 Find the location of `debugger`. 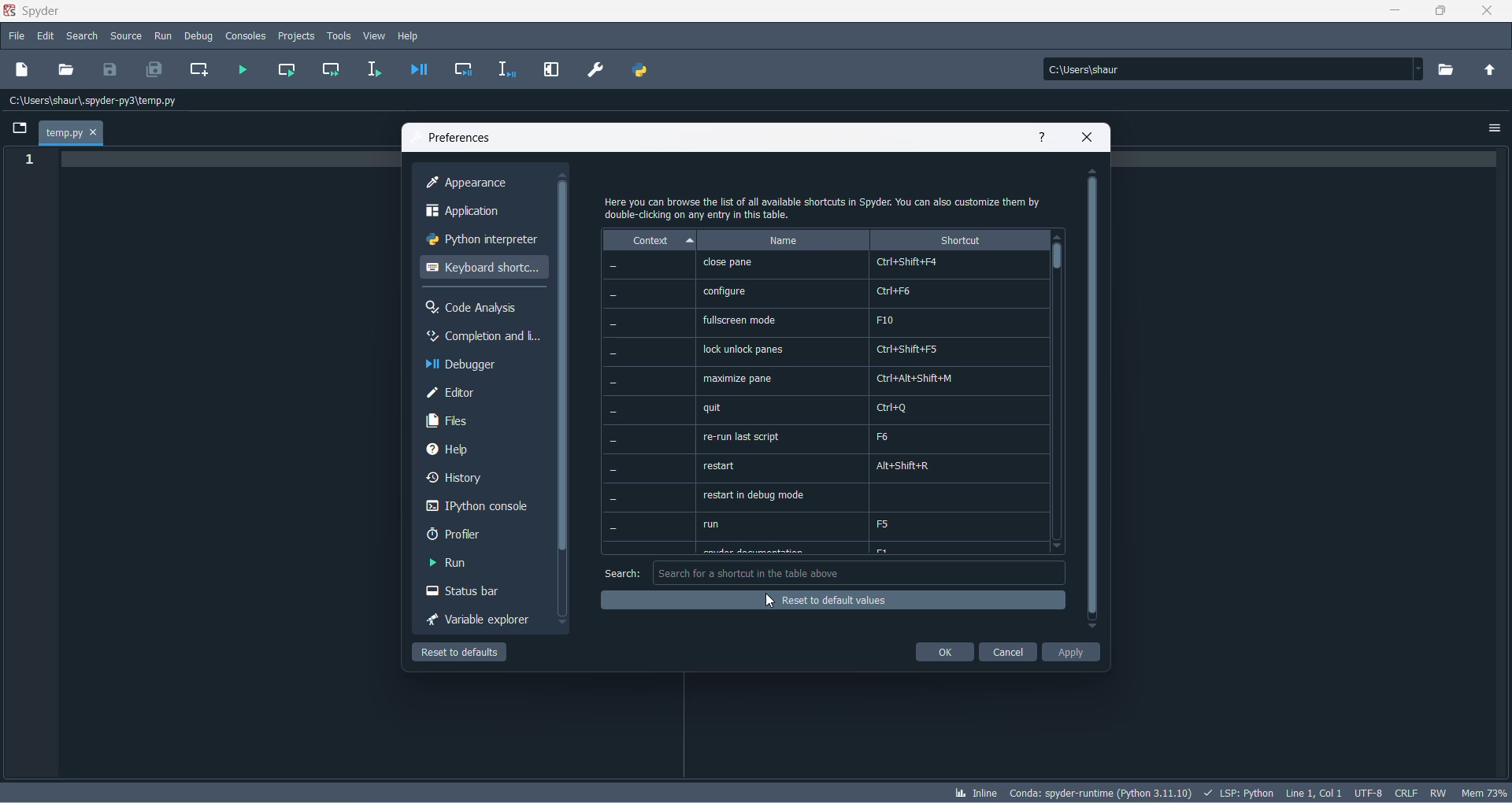

debugger is located at coordinates (472, 364).